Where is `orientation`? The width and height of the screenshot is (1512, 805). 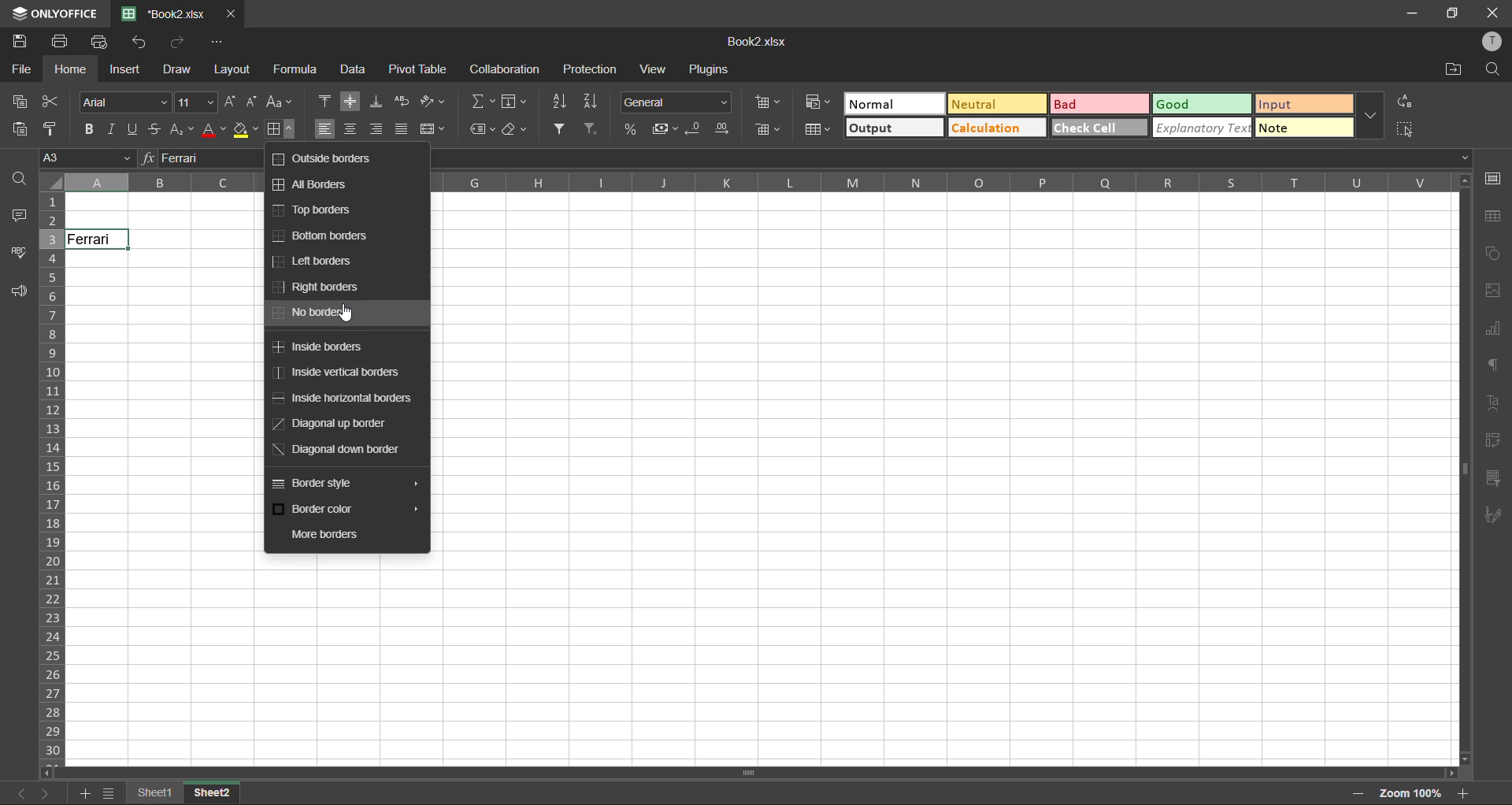
orientation is located at coordinates (432, 101).